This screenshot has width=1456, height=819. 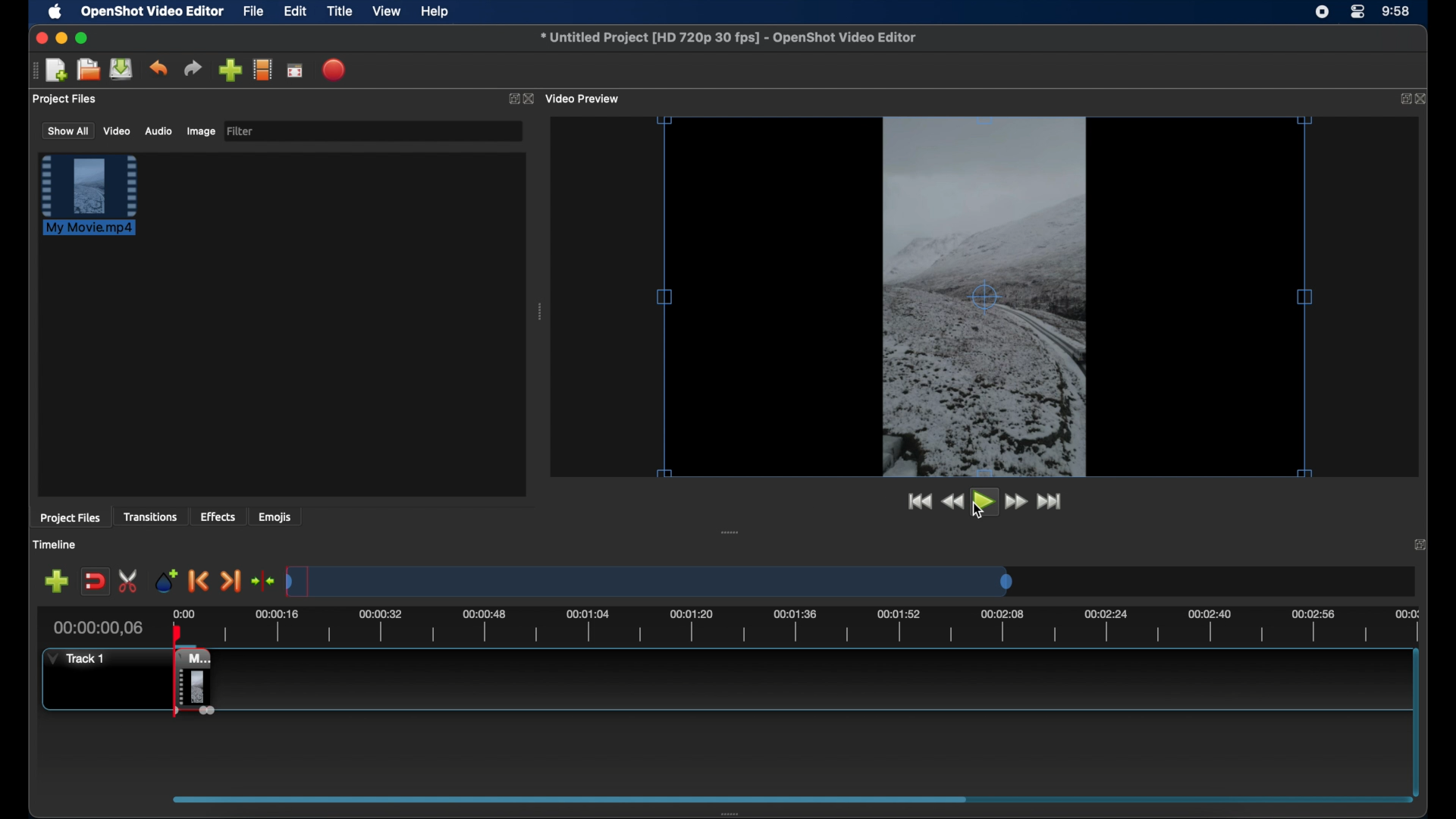 I want to click on full screen, so click(x=296, y=70).